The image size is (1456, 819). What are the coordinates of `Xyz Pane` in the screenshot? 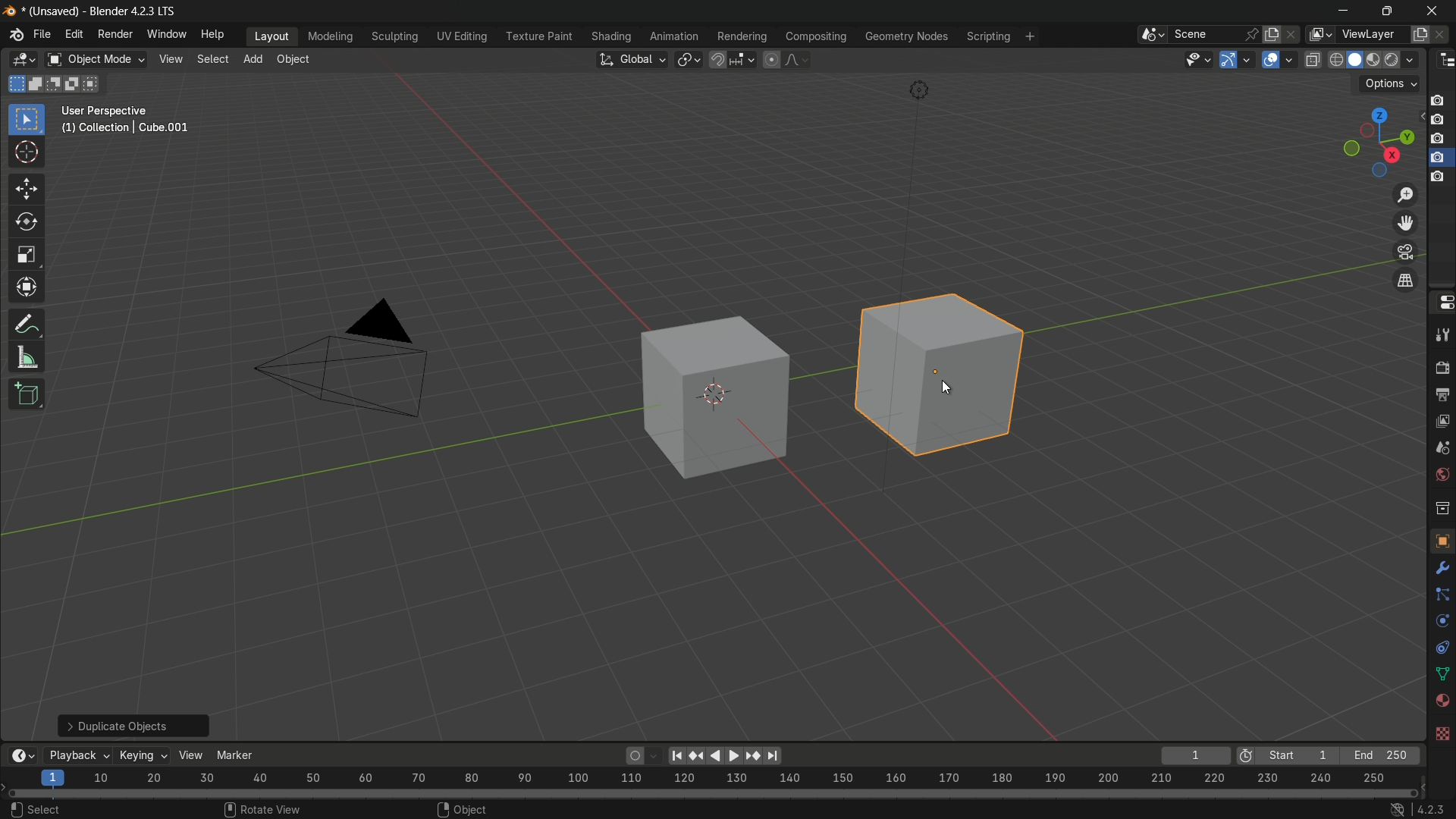 It's located at (278, 807).